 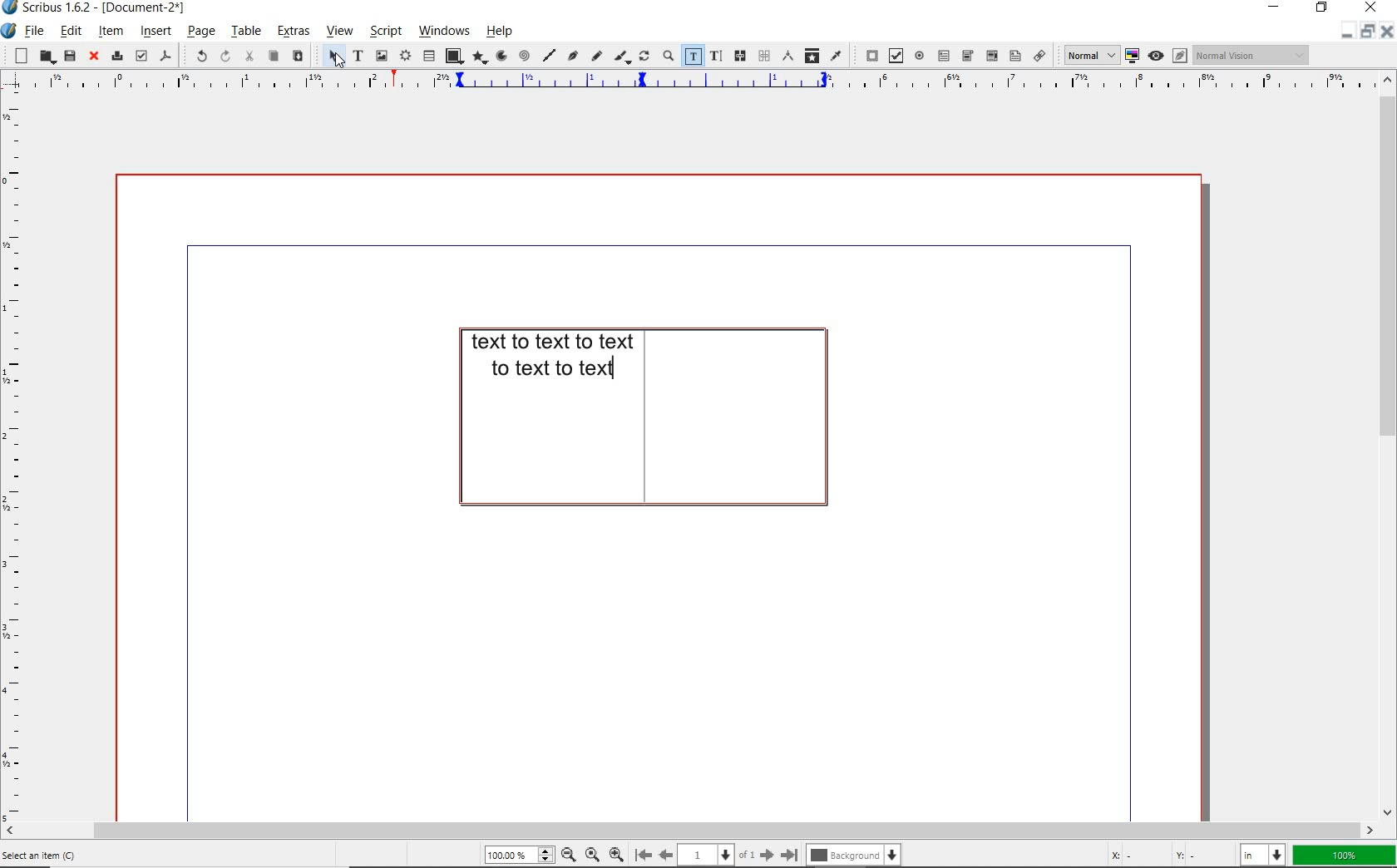 I want to click on shape, so click(x=451, y=57).